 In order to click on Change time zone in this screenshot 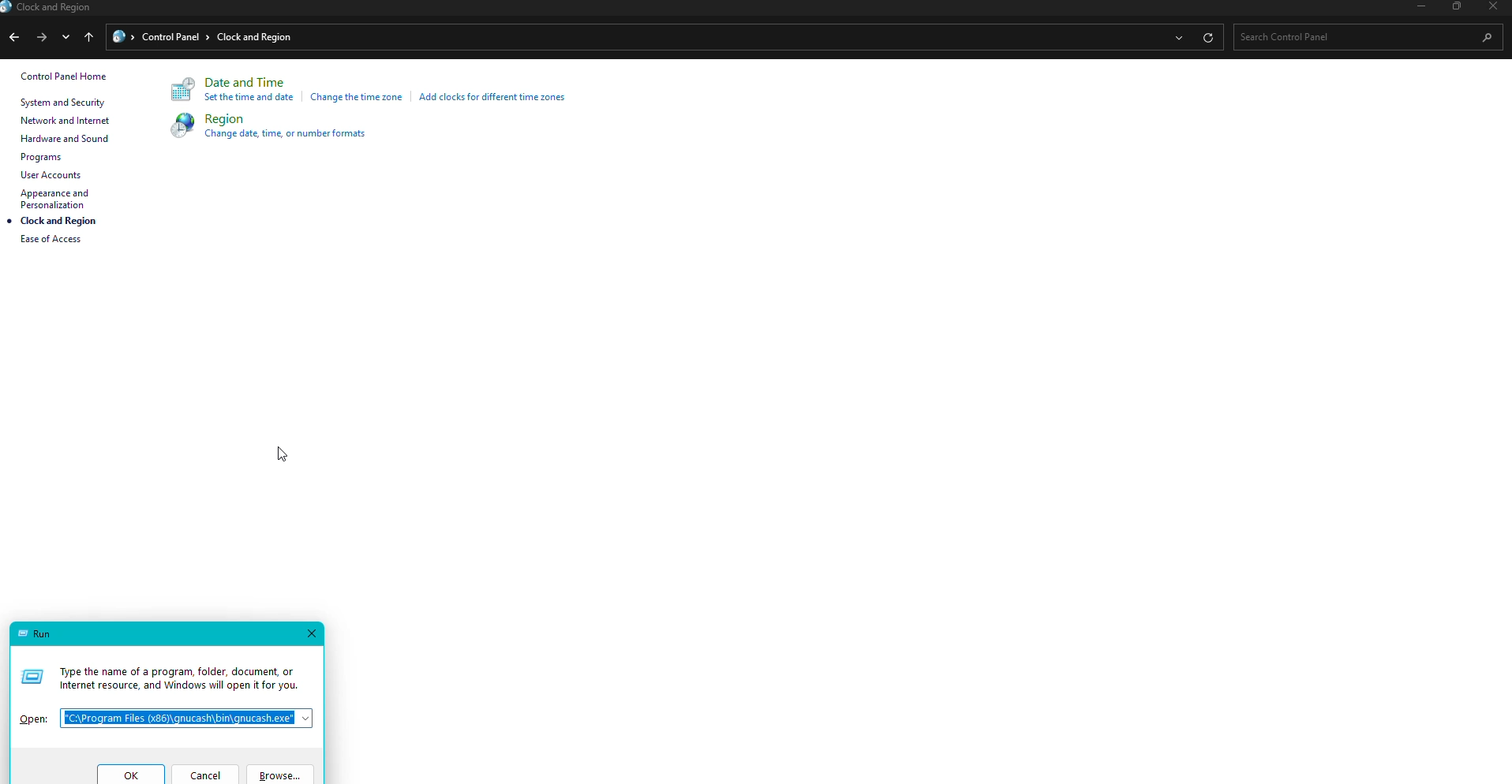, I will do `click(357, 98)`.